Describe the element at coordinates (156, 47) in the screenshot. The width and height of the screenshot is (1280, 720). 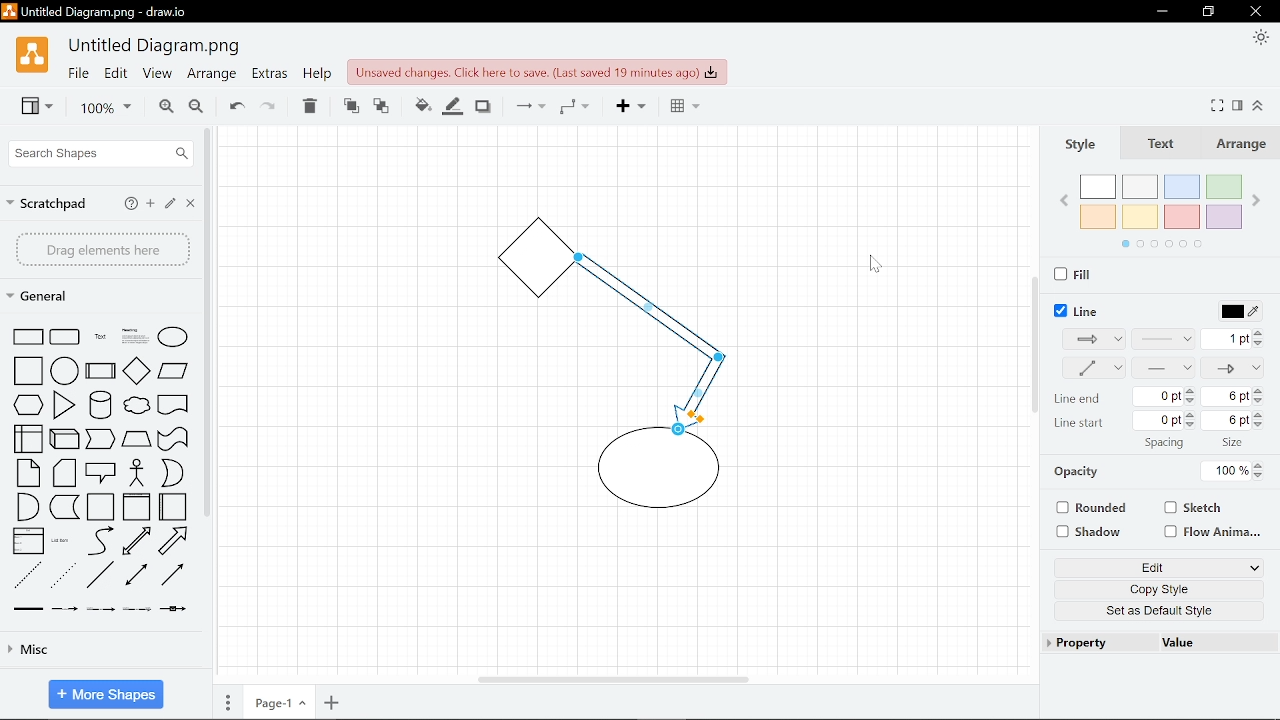
I see `Untitled Diagram.png` at that location.